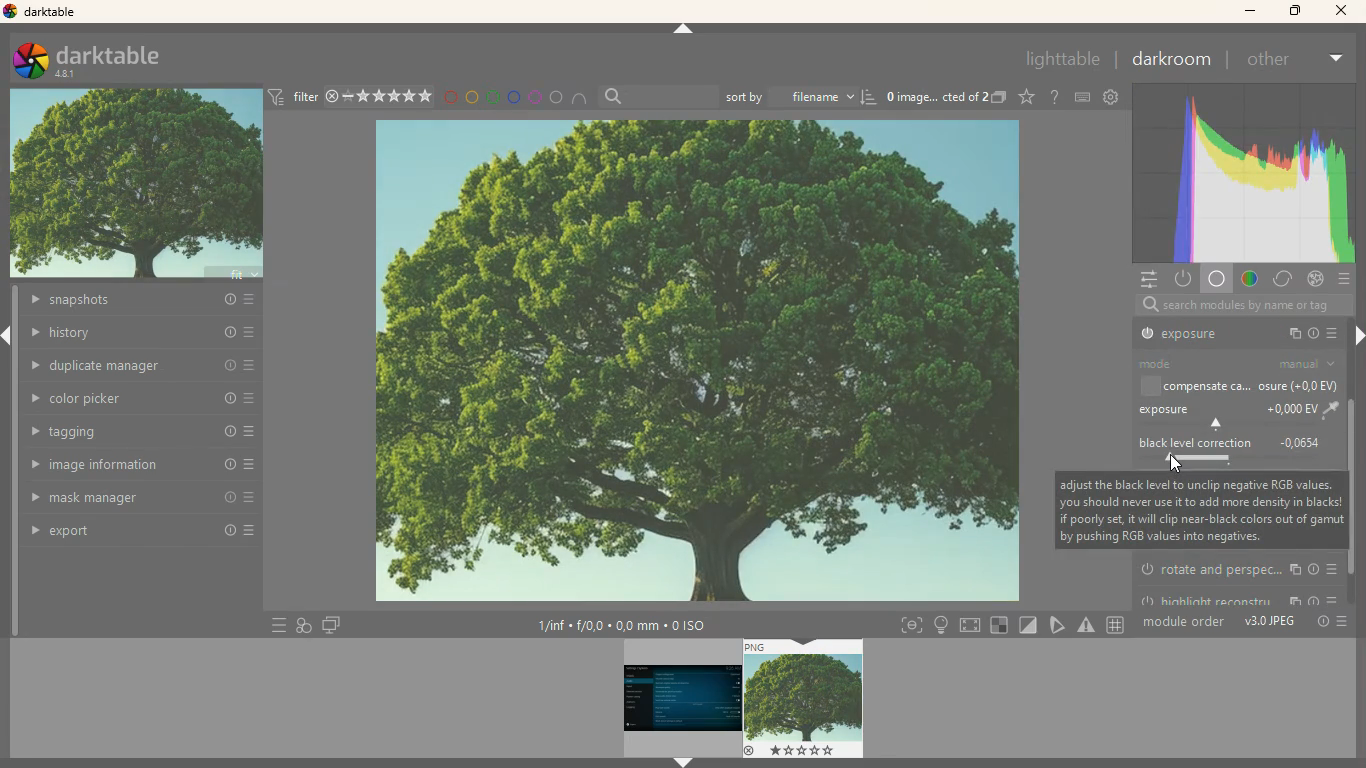 The image size is (1366, 768). Describe the element at coordinates (144, 433) in the screenshot. I see `tagging` at that location.